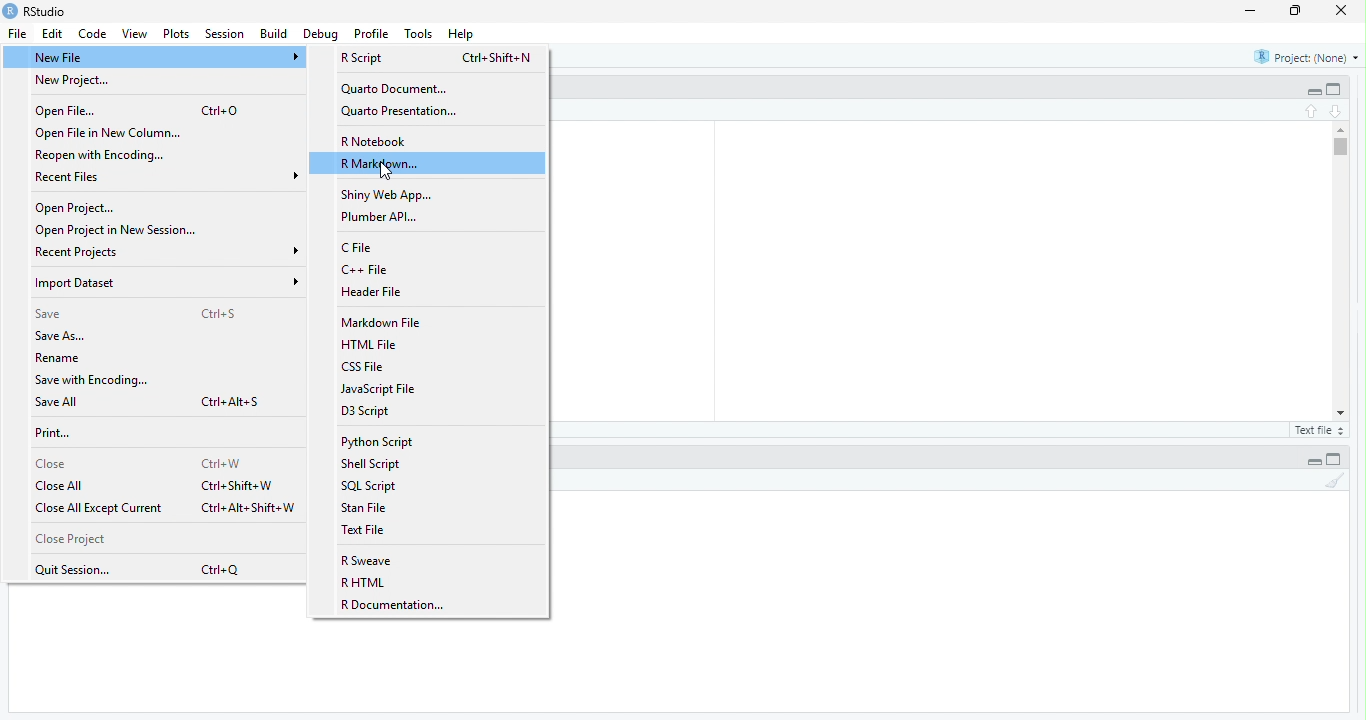 The image size is (1366, 720). What do you see at coordinates (58, 402) in the screenshot?
I see `Save All` at bounding box center [58, 402].